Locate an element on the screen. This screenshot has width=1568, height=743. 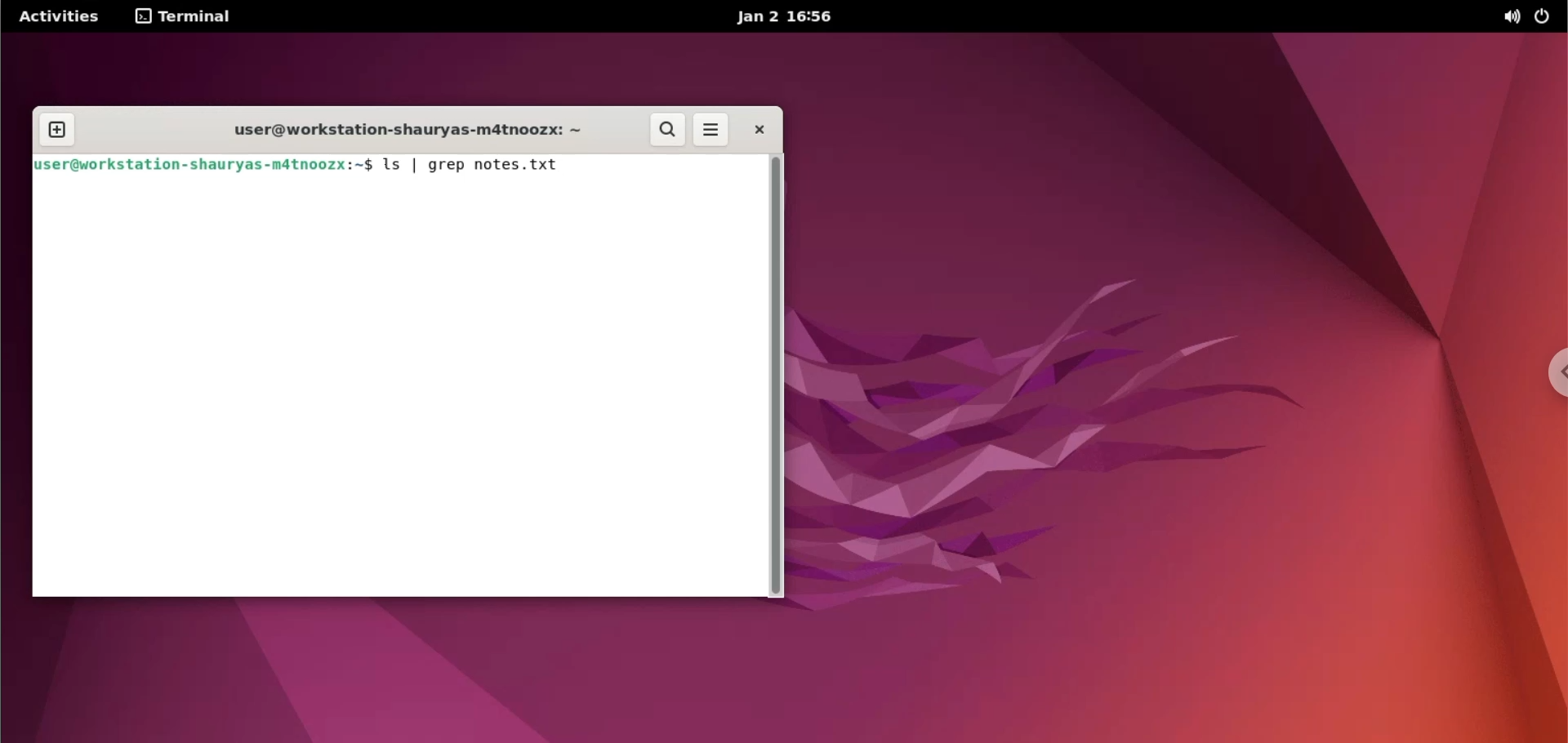
Juser@workstation- shauryas-mdtnoozx:~$ is located at coordinates (203, 167).